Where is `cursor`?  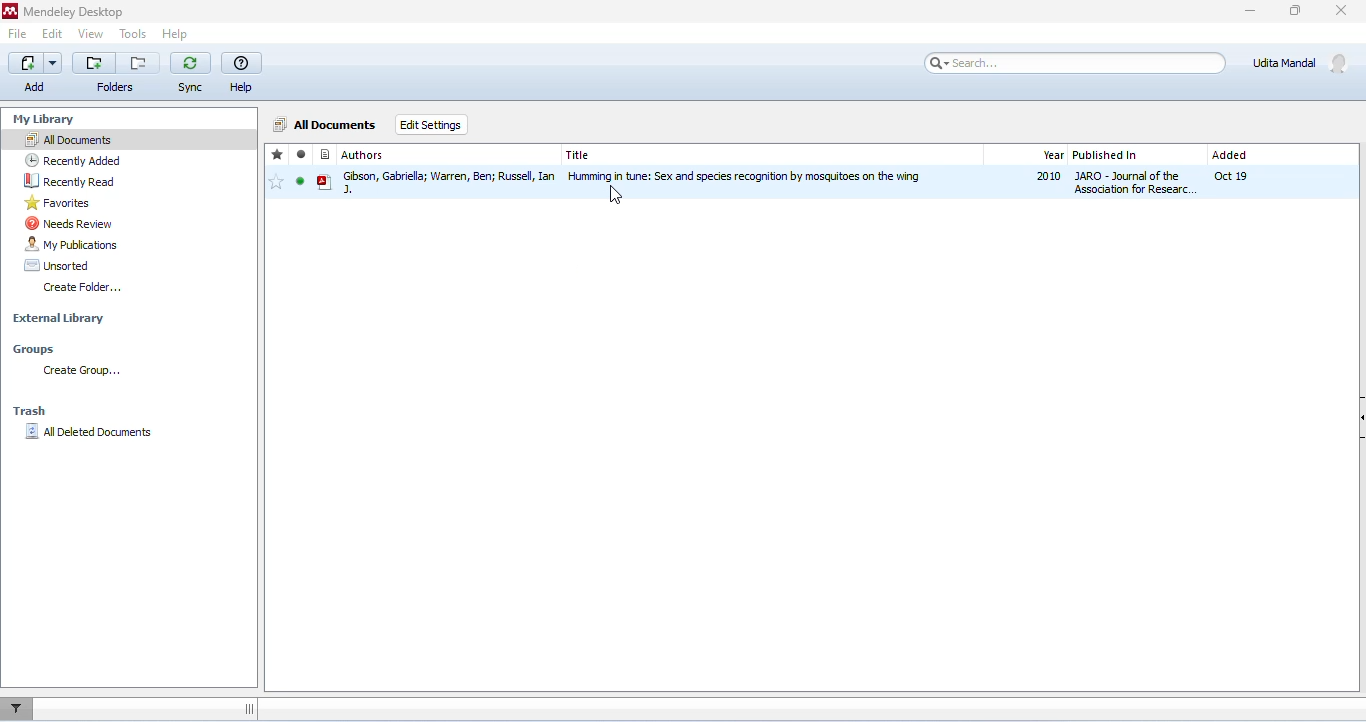 cursor is located at coordinates (616, 198).